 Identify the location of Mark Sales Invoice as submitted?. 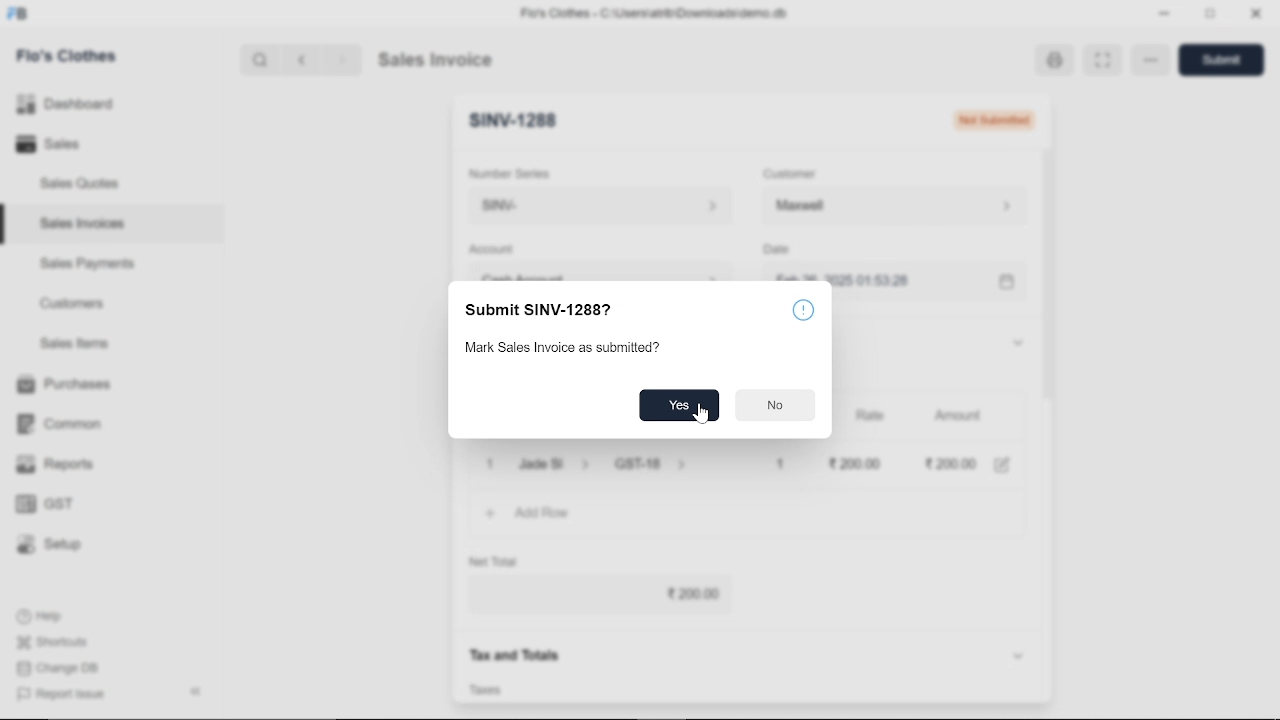
(560, 349).